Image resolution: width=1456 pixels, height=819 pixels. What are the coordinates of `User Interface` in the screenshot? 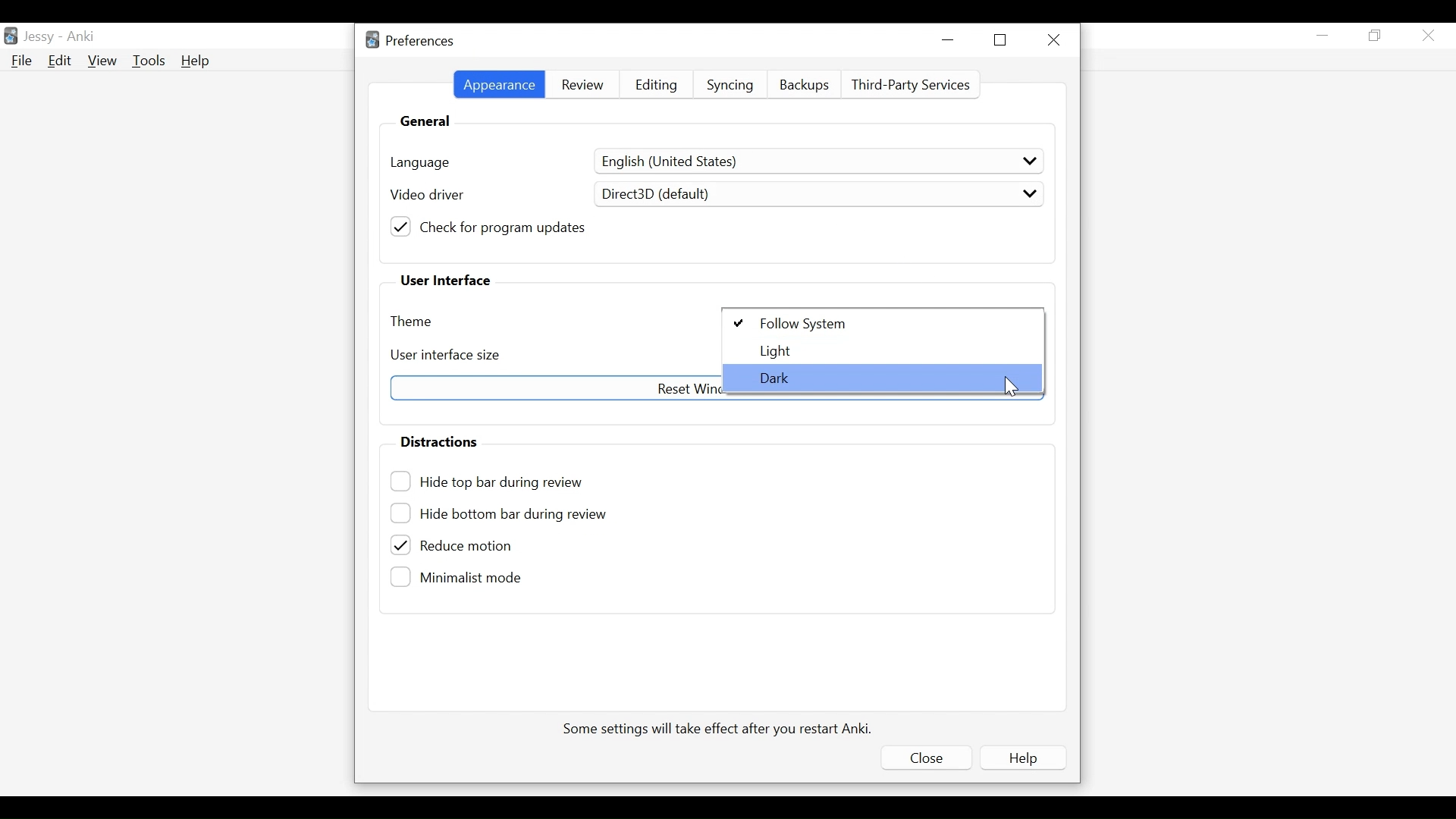 It's located at (444, 281).